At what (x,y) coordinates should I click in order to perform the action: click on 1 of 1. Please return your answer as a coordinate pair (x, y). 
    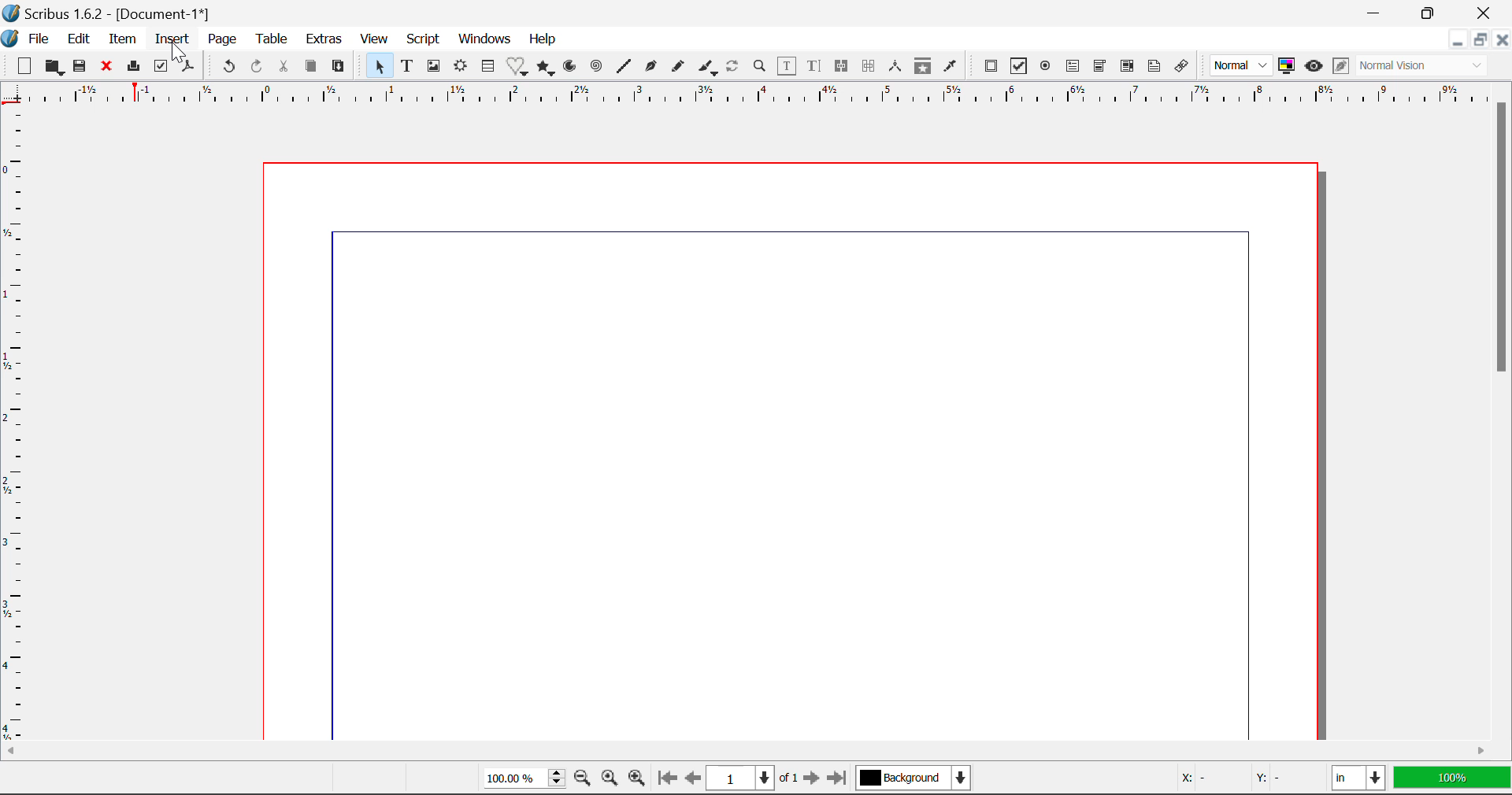
    Looking at the image, I should click on (753, 778).